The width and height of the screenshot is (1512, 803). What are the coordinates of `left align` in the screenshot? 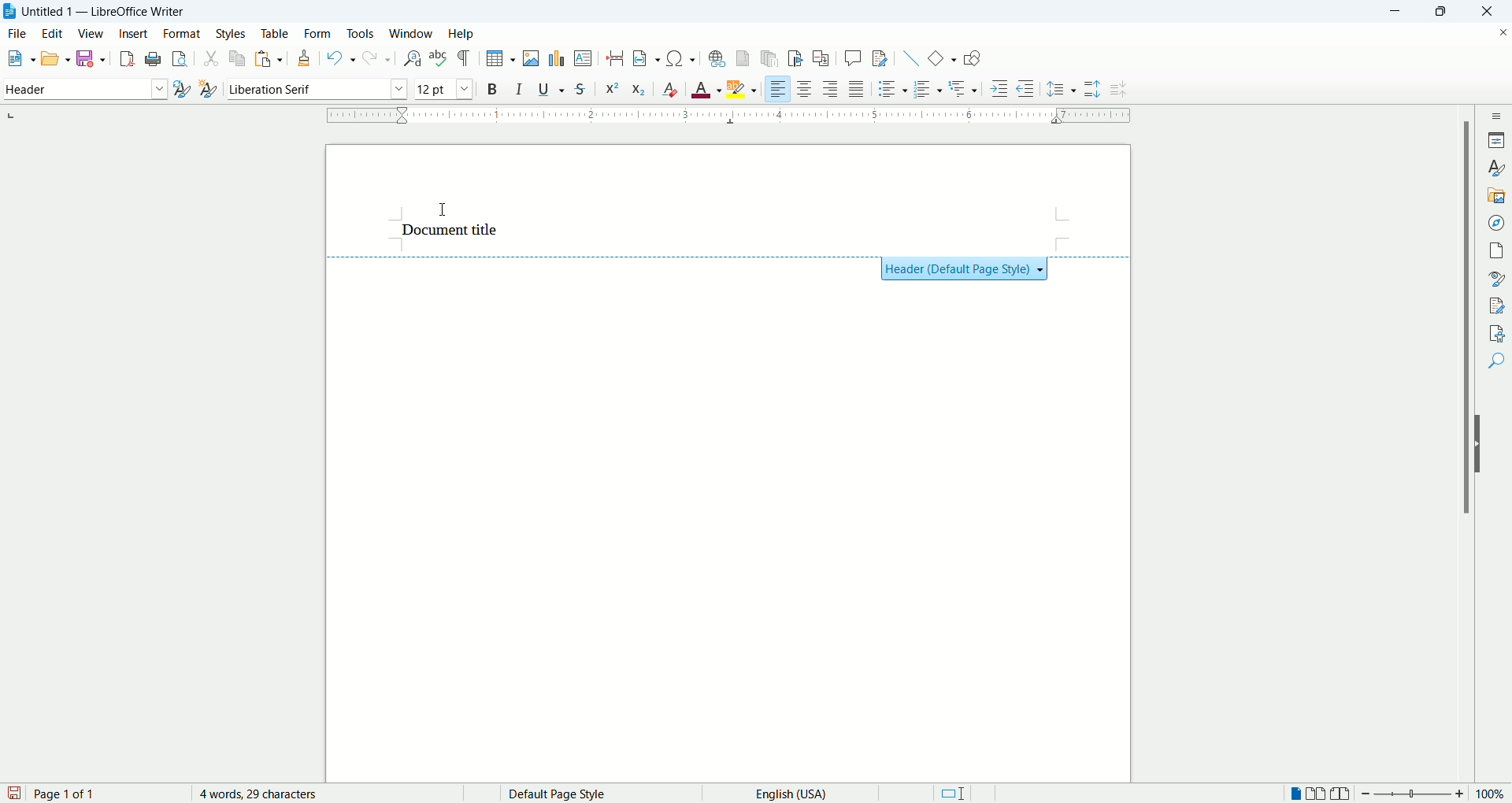 It's located at (776, 87).